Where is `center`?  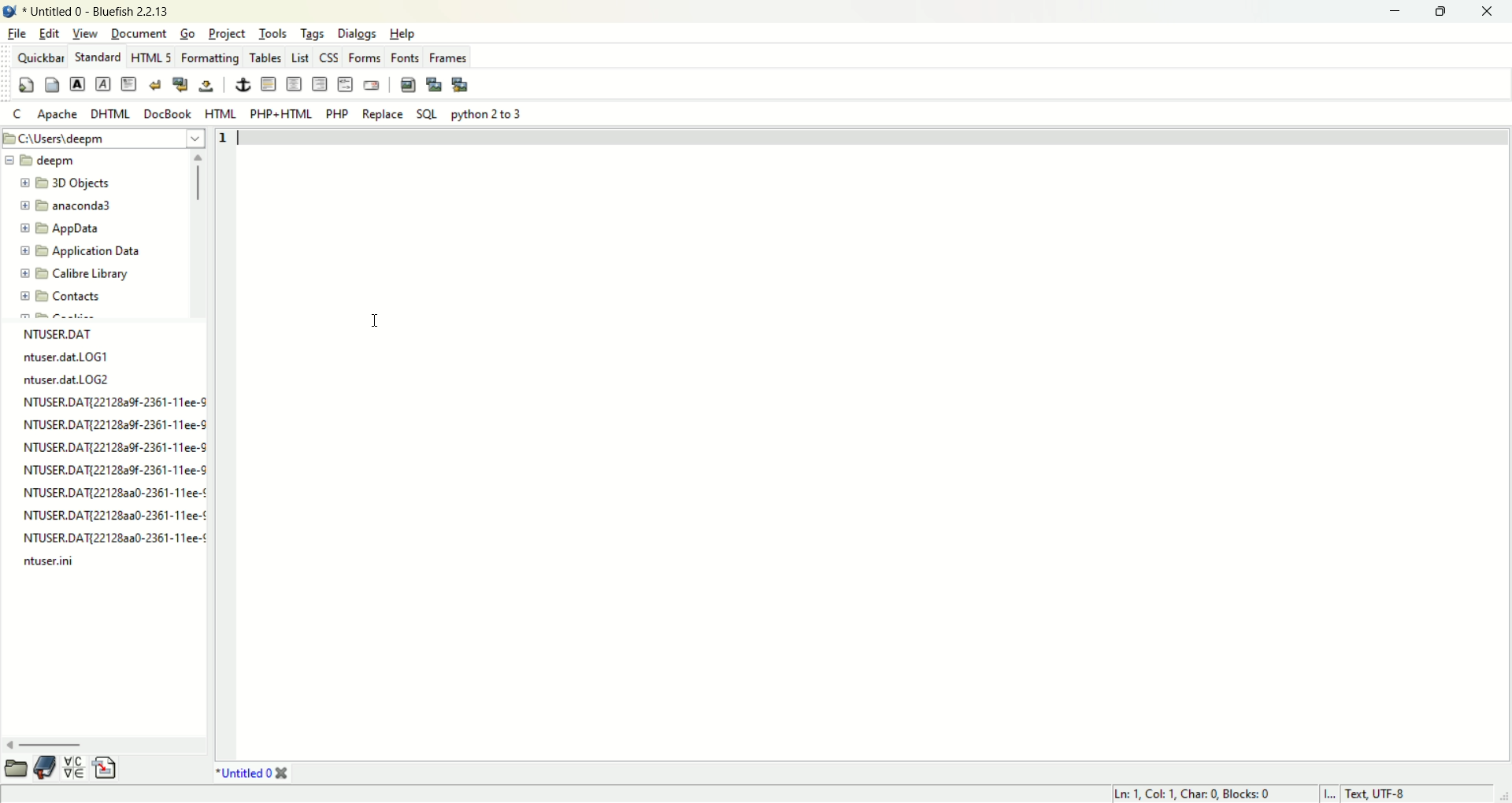 center is located at coordinates (294, 85).